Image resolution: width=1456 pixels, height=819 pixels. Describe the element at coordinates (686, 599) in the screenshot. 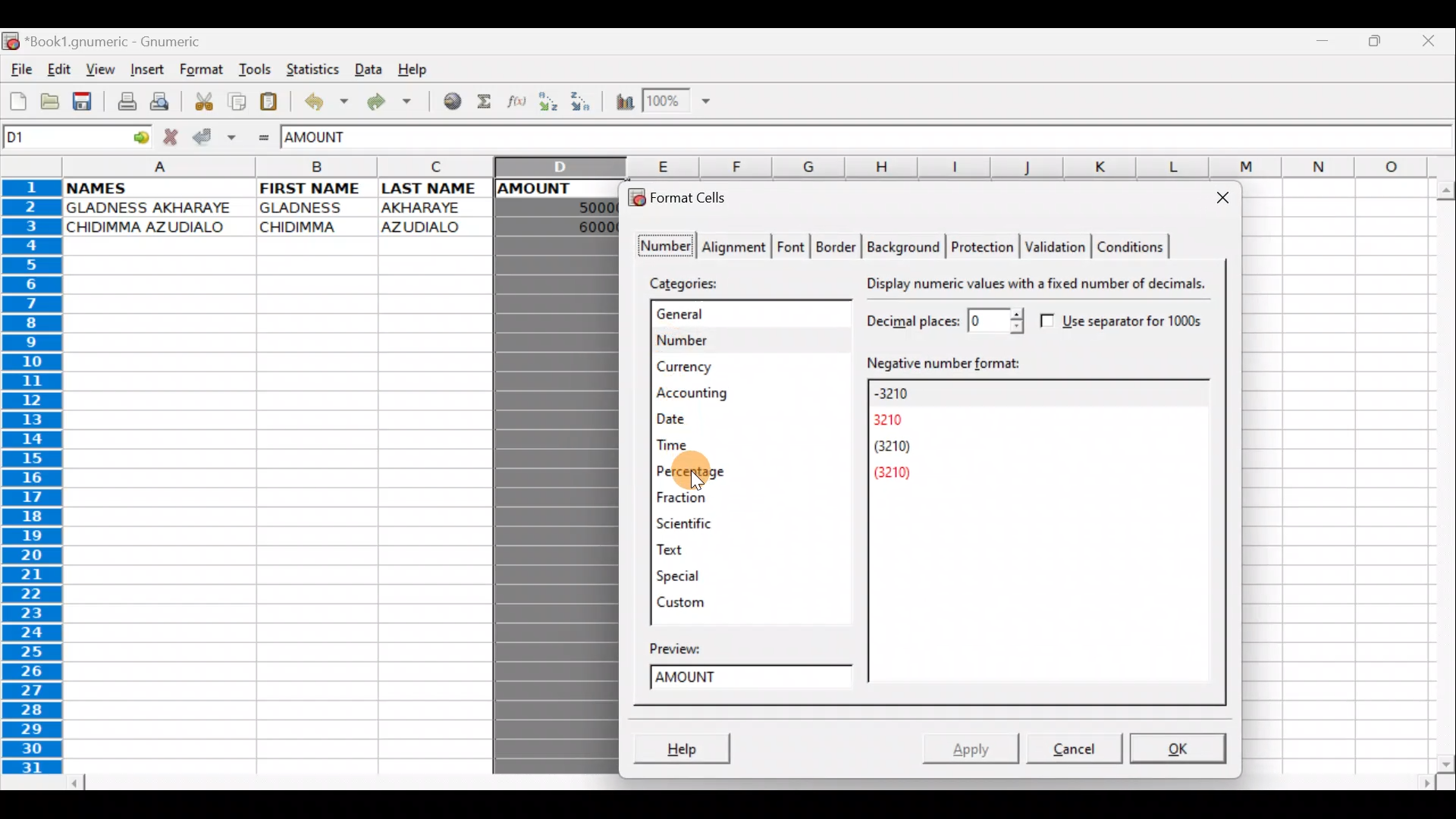

I see `Custom` at that location.